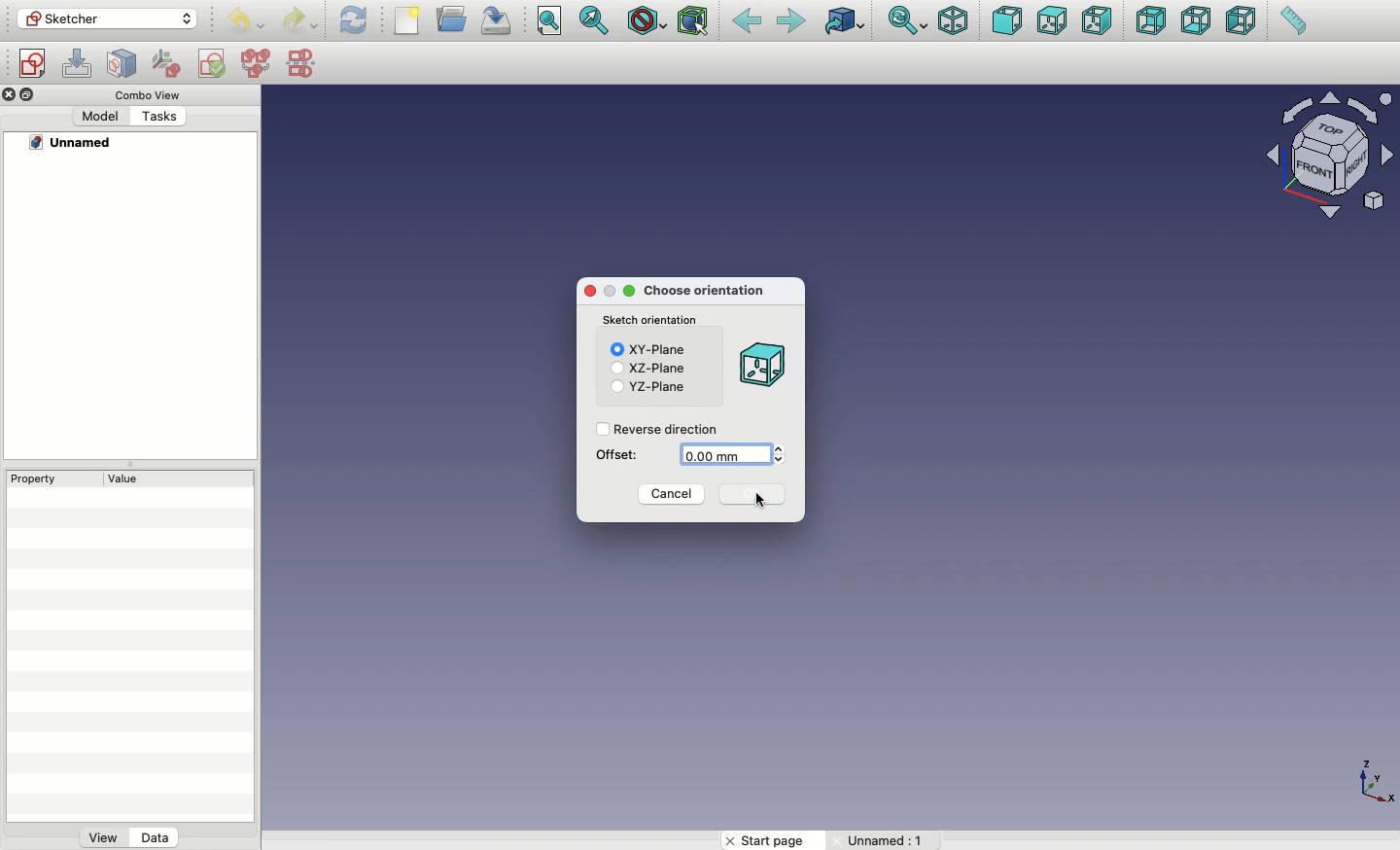 This screenshot has height=850, width=1400. I want to click on Sketcher, so click(108, 19).